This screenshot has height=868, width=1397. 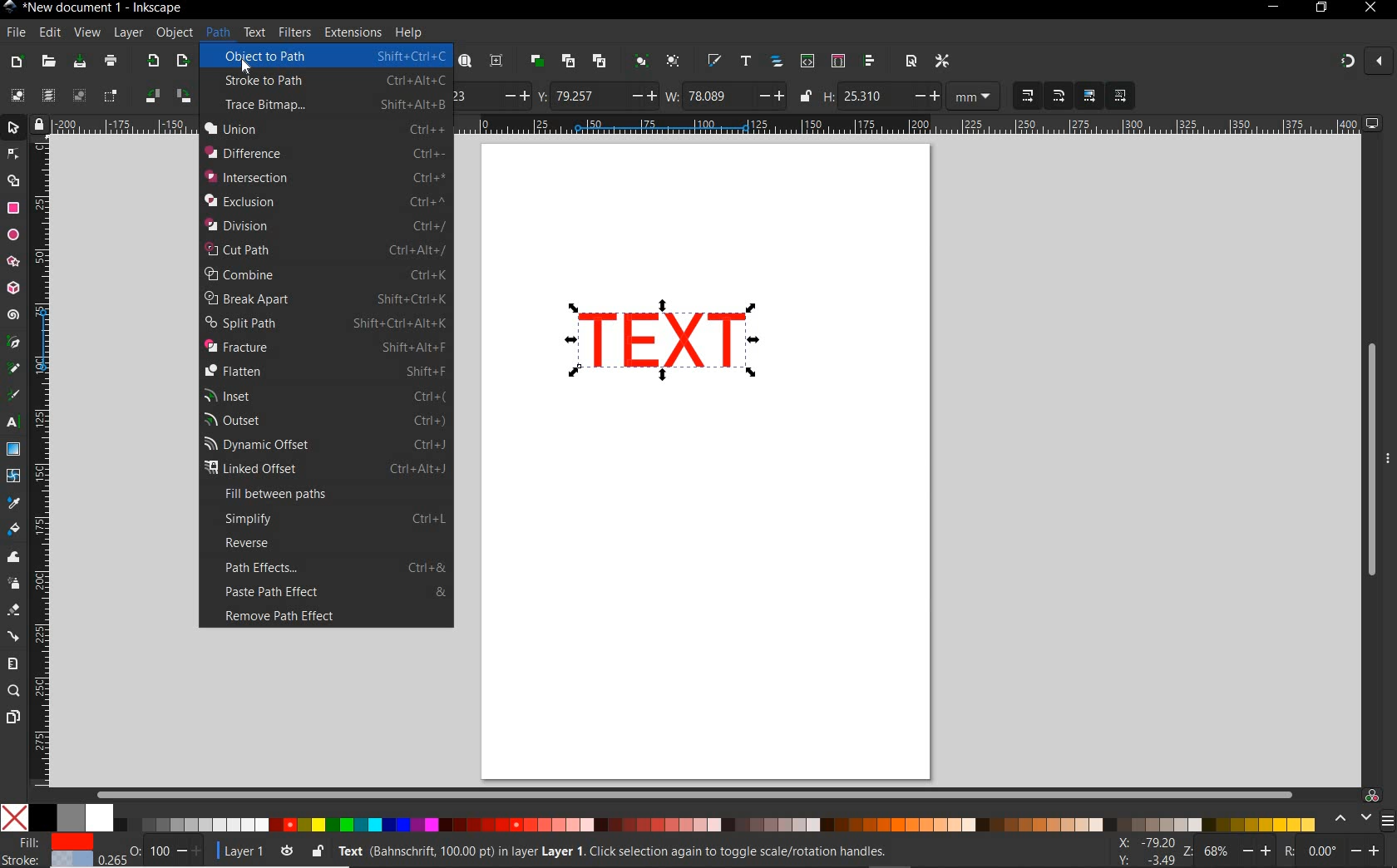 I want to click on PAINT, so click(x=111, y=63).